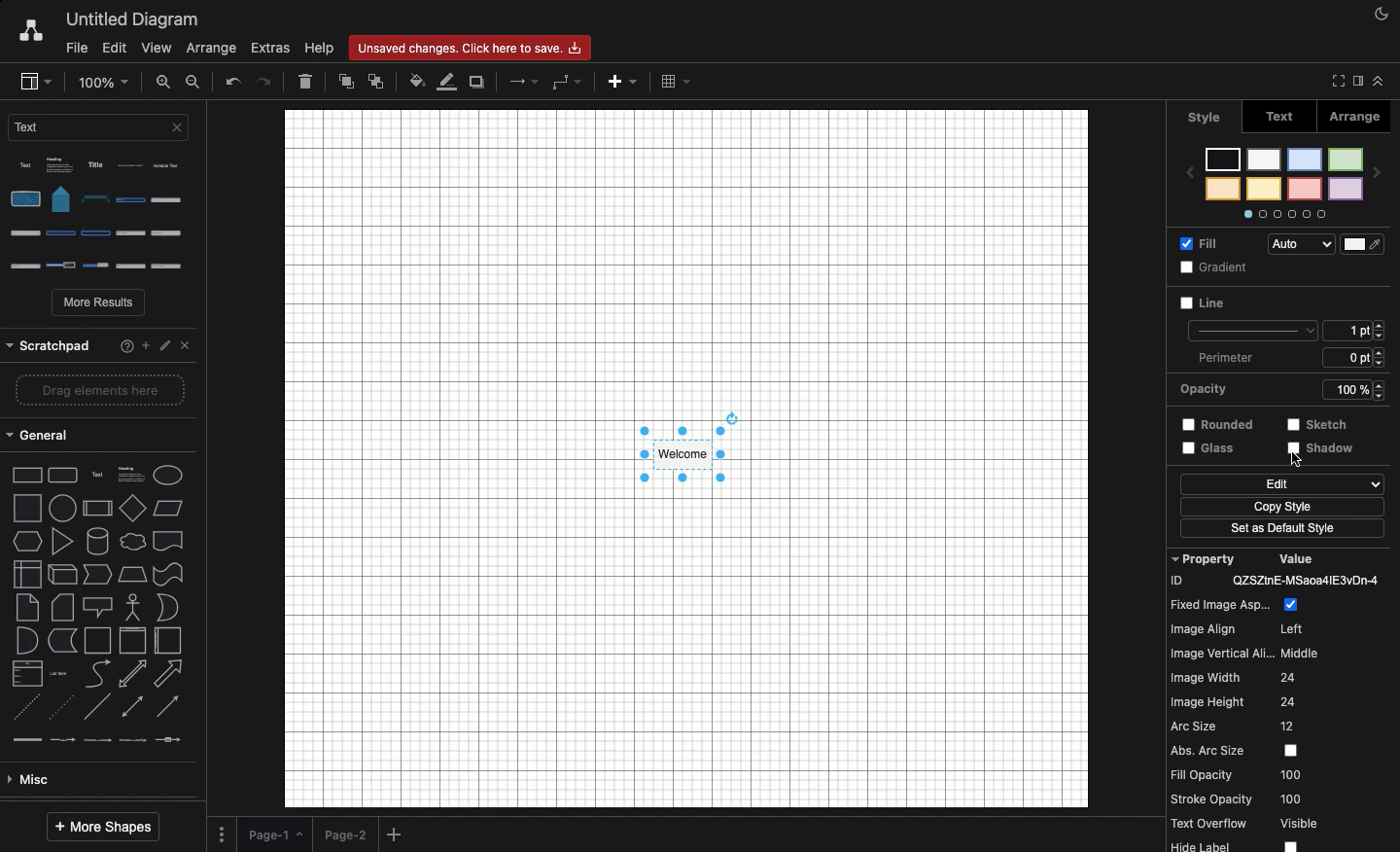 This screenshot has height=852, width=1400. What do you see at coordinates (448, 81) in the screenshot?
I see `Line fill` at bounding box center [448, 81].